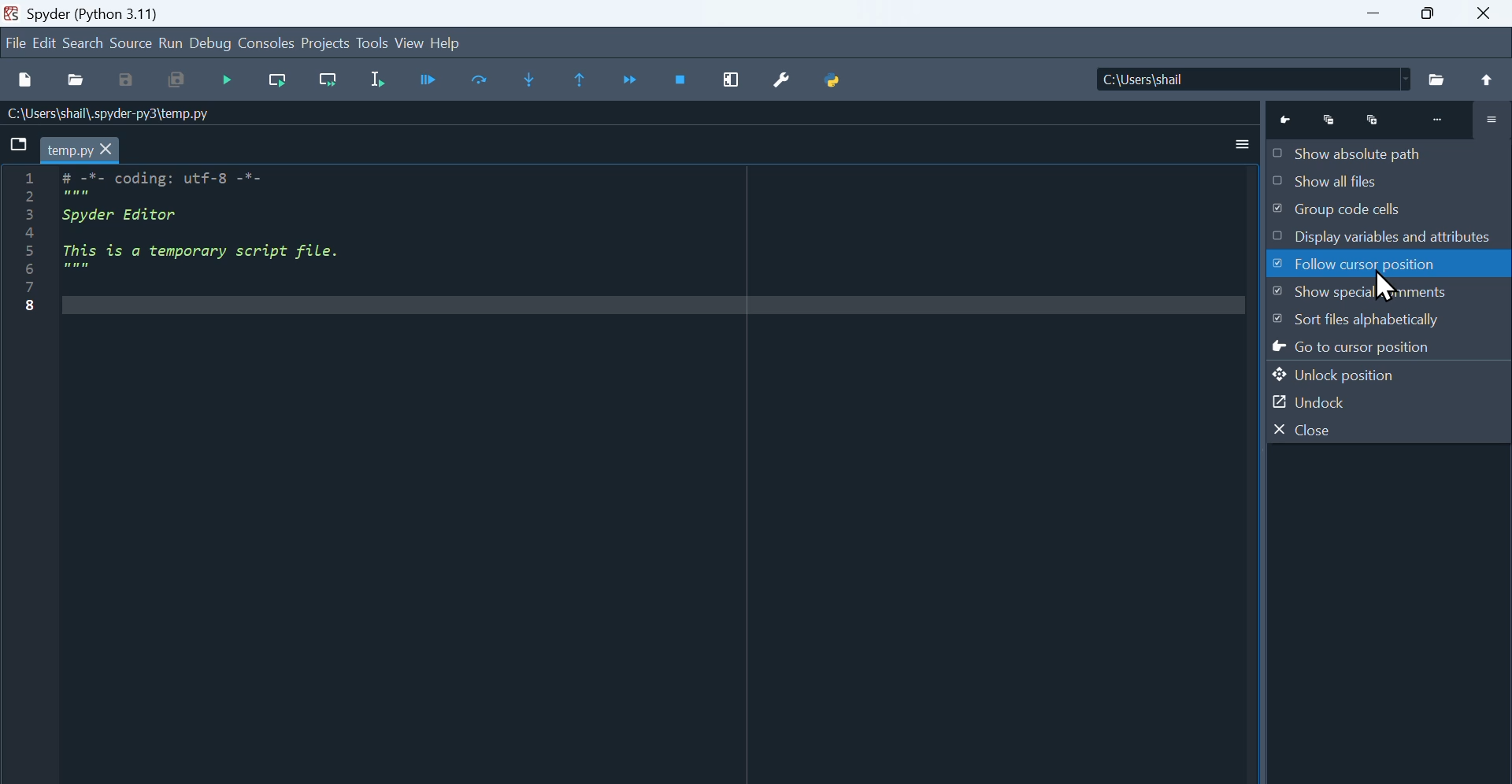 The image size is (1512, 784). What do you see at coordinates (327, 85) in the screenshot?
I see `Run current line until next function` at bounding box center [327, 85].